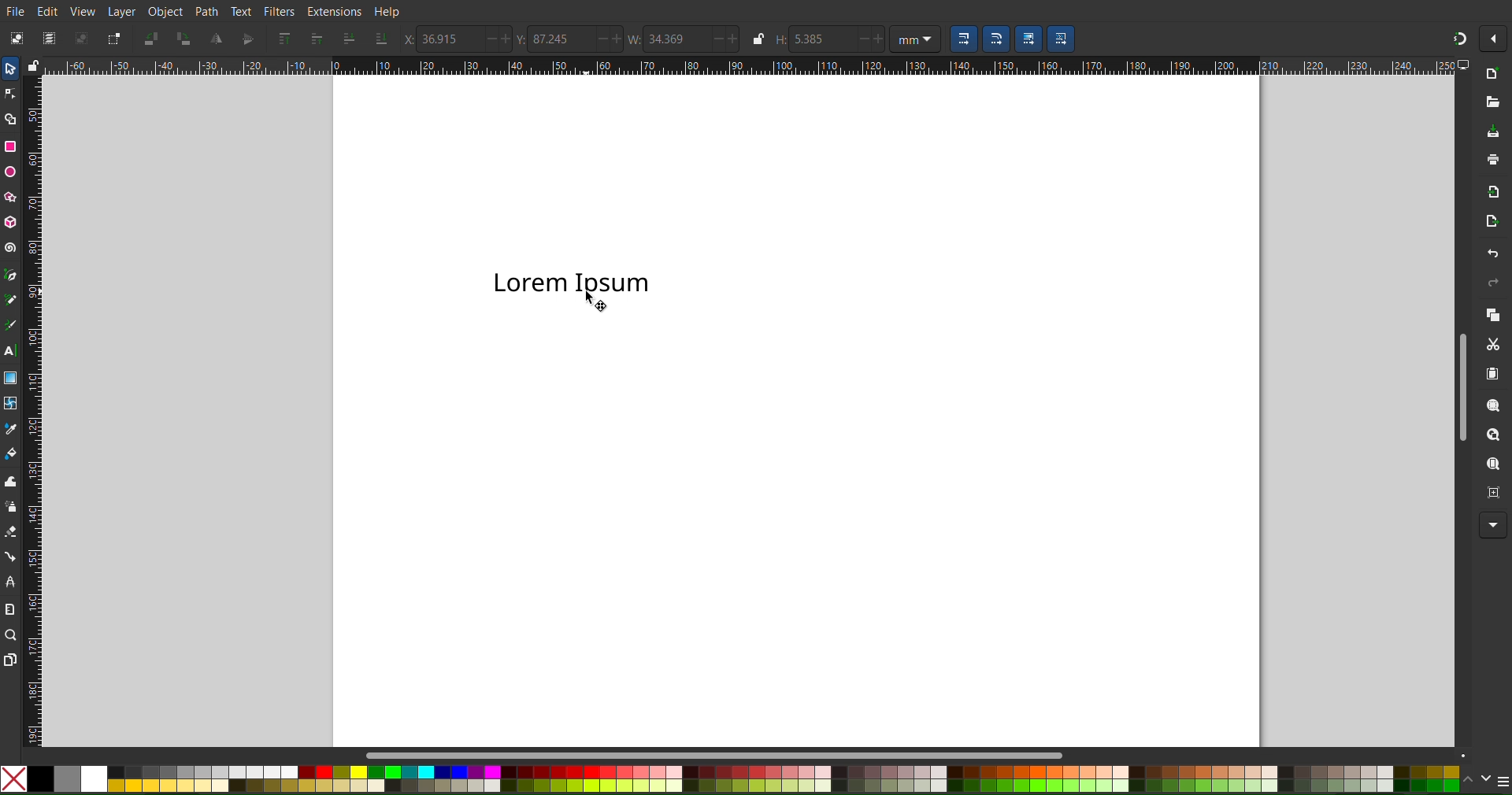 The height and width of the screenshot is (795, 1512). What do you see at coordinates (152, 38) in the screenshot?
I see `Rotate CCW` at bounding box center [152, 38].